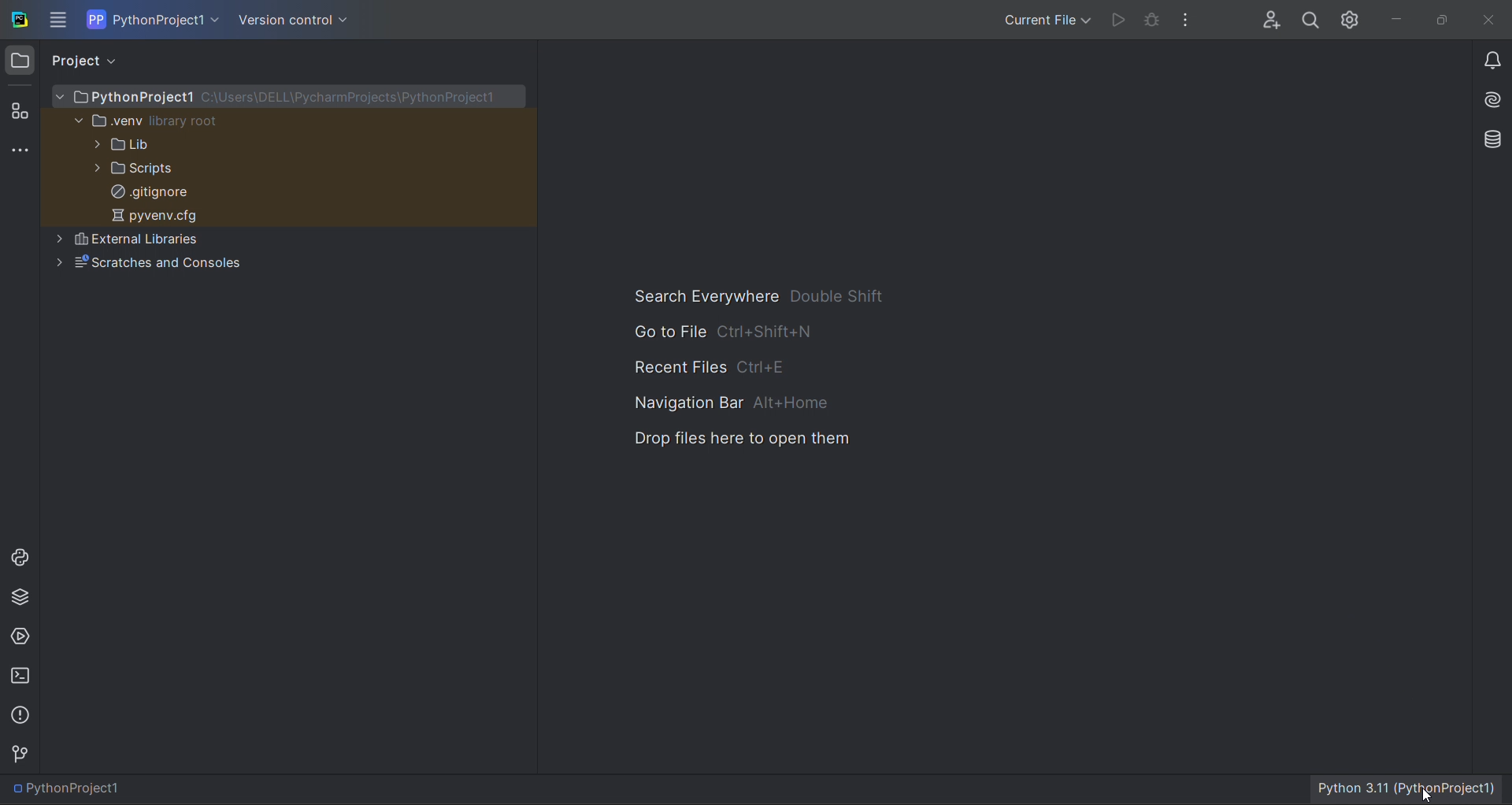 This screenshot has width=1512, height=805. I want to click on current project, so click(154, 19).